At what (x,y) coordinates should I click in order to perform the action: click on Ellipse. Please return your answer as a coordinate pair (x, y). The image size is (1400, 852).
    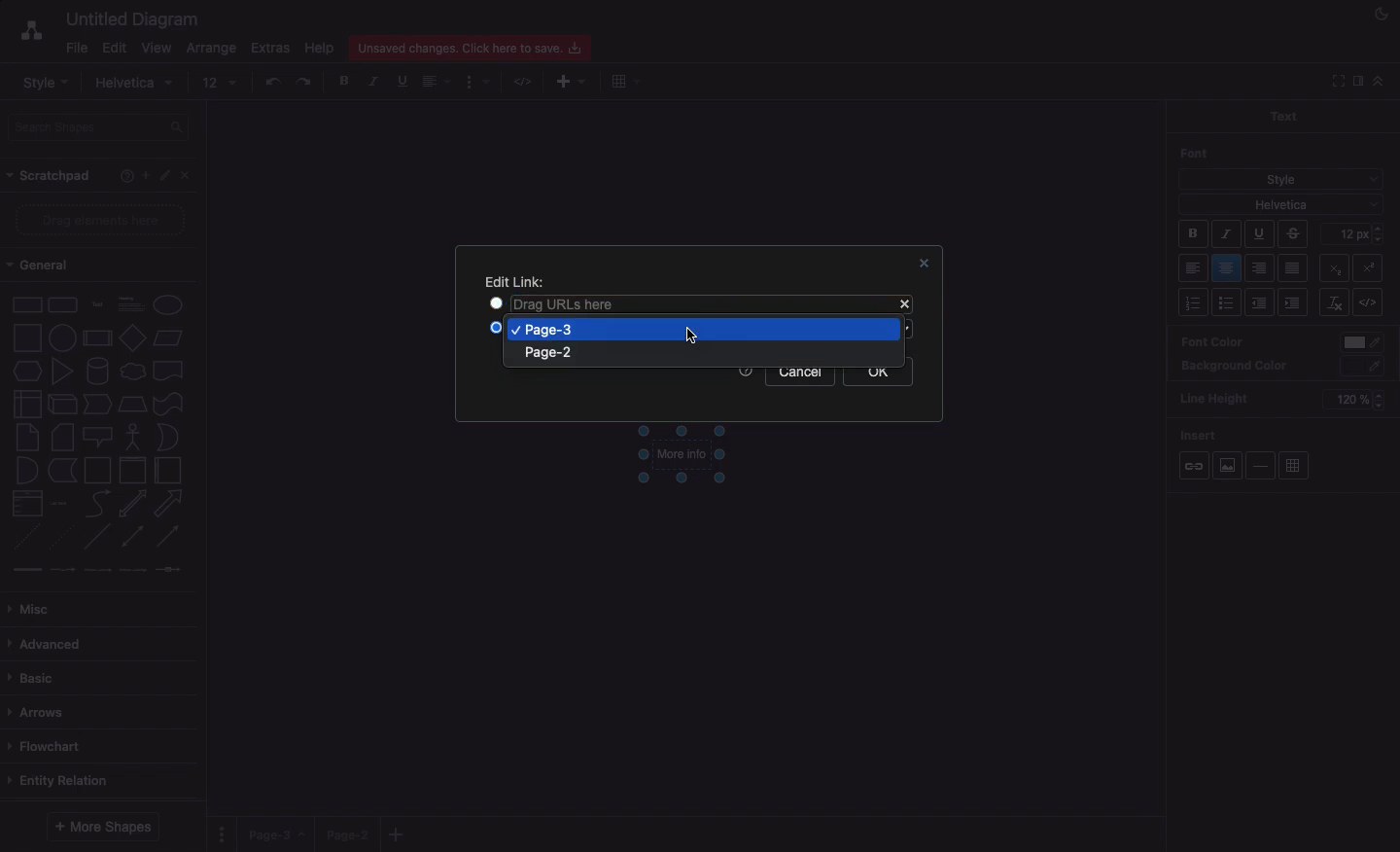
    Looking at the image, I should click on (168, 305).